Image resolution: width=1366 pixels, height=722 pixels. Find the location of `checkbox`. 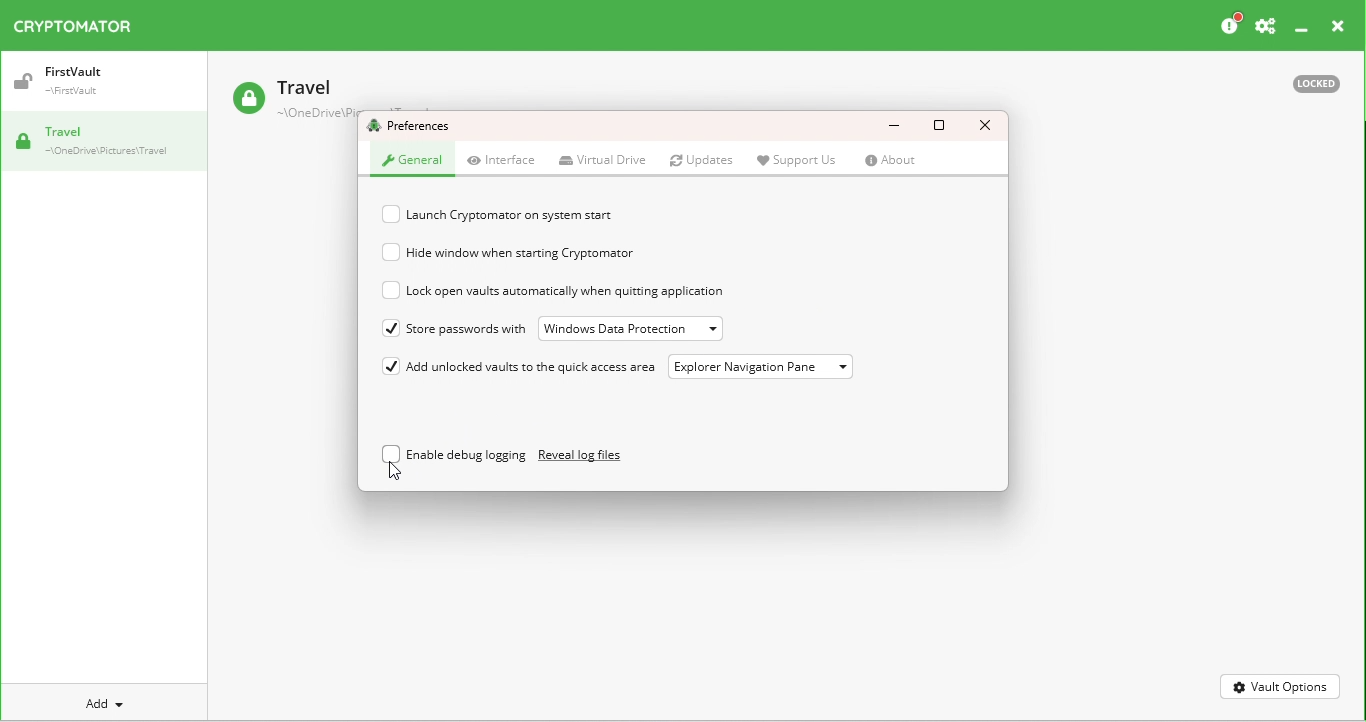

checkbox is located at coordinates (390, 457).